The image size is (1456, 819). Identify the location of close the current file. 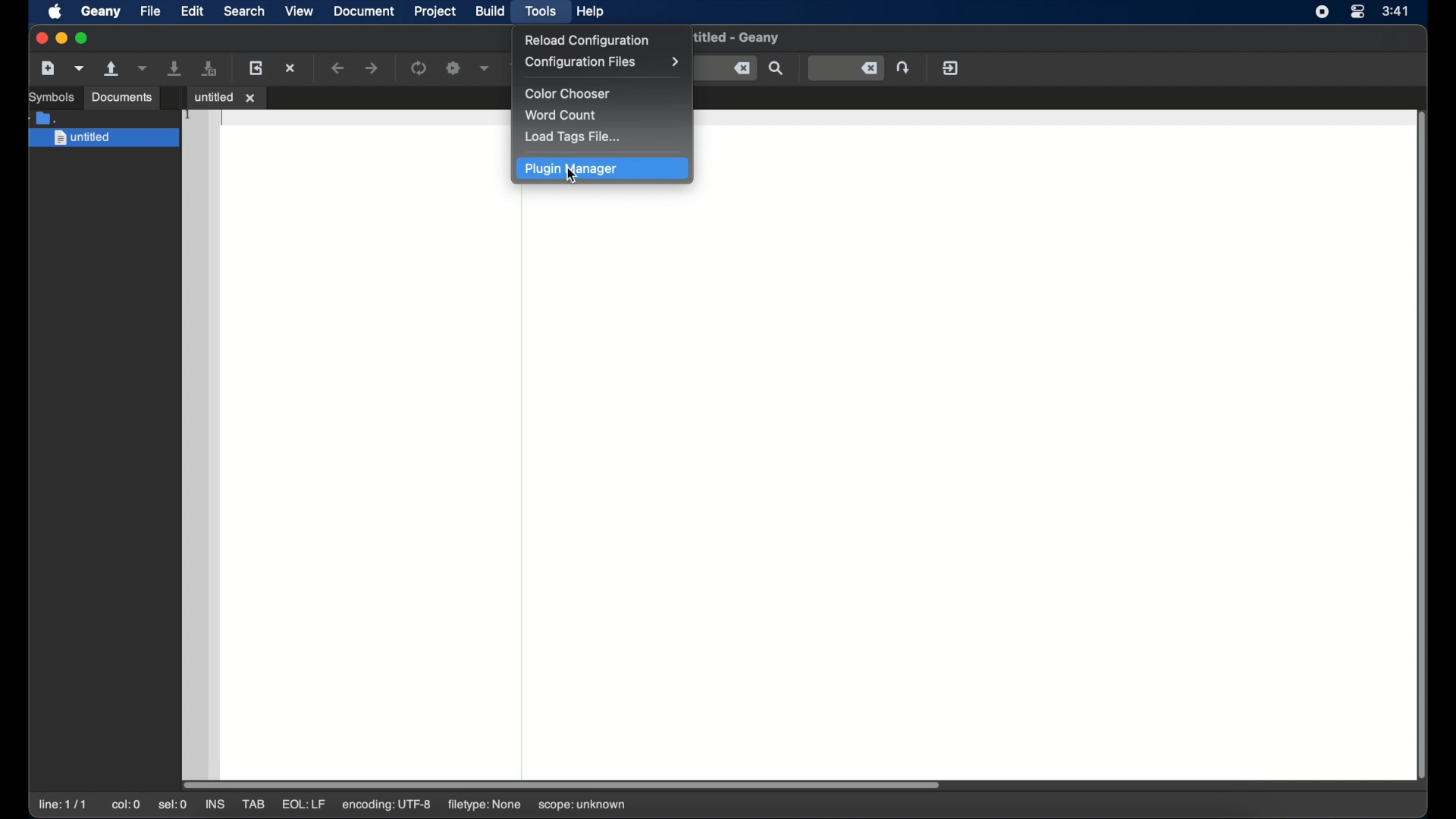
(291, 67).